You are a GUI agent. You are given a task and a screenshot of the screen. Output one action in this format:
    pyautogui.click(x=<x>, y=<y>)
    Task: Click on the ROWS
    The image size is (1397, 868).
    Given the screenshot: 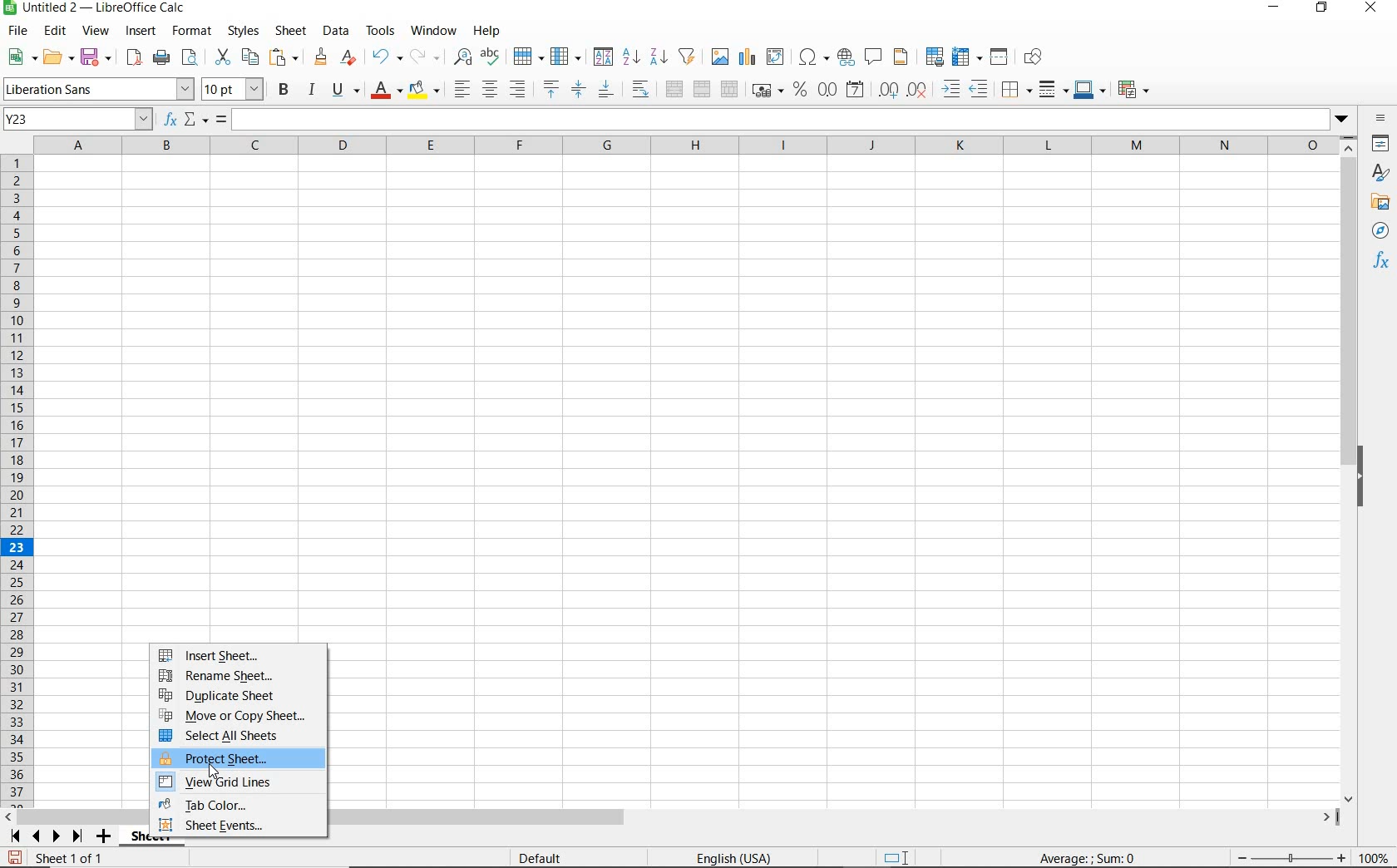 What is the action you would take?
    pyautogui.click(x=18, y=478)
    